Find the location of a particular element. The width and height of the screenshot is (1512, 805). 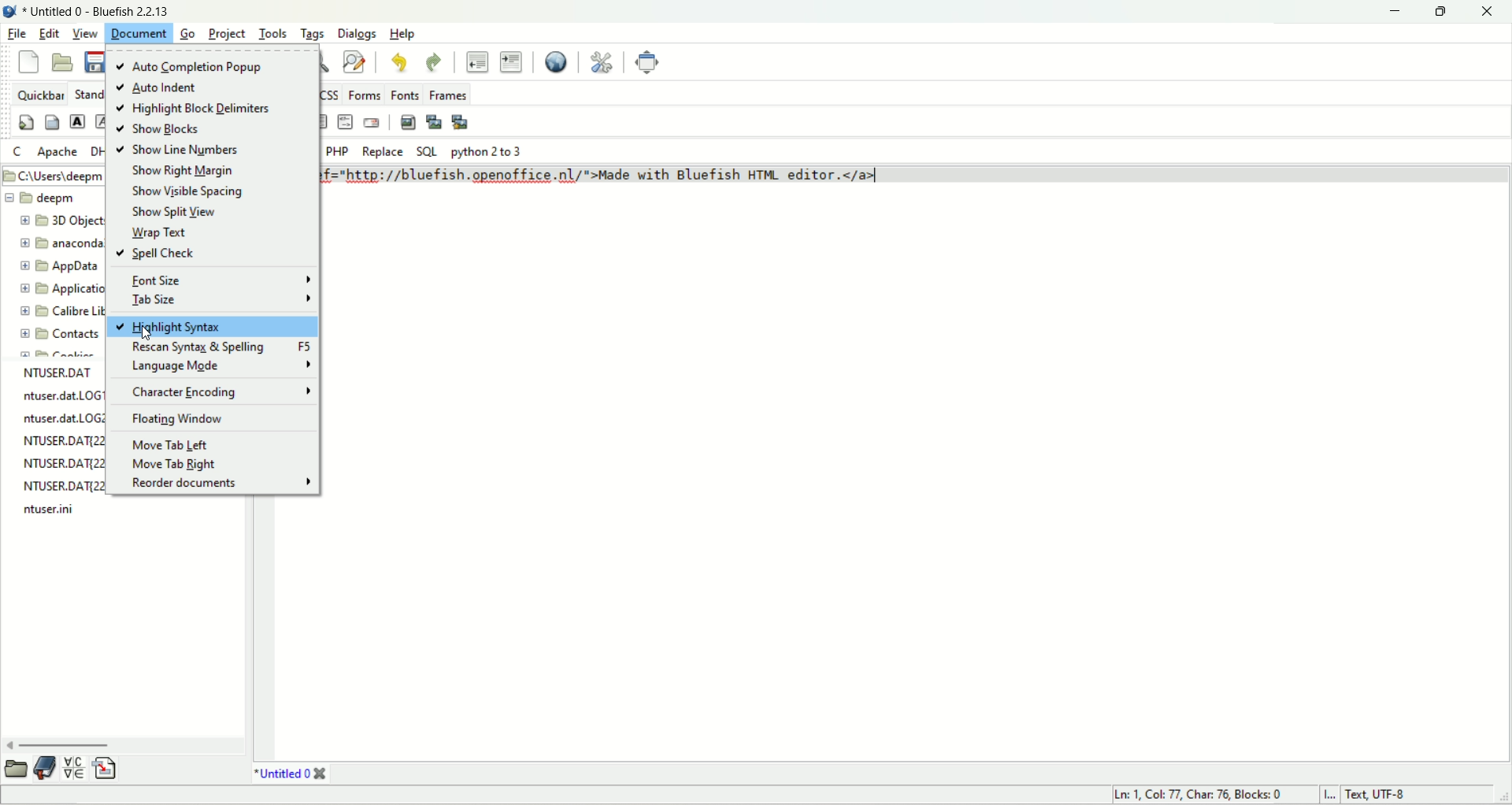

deepm is located at coordinates (41, 198).